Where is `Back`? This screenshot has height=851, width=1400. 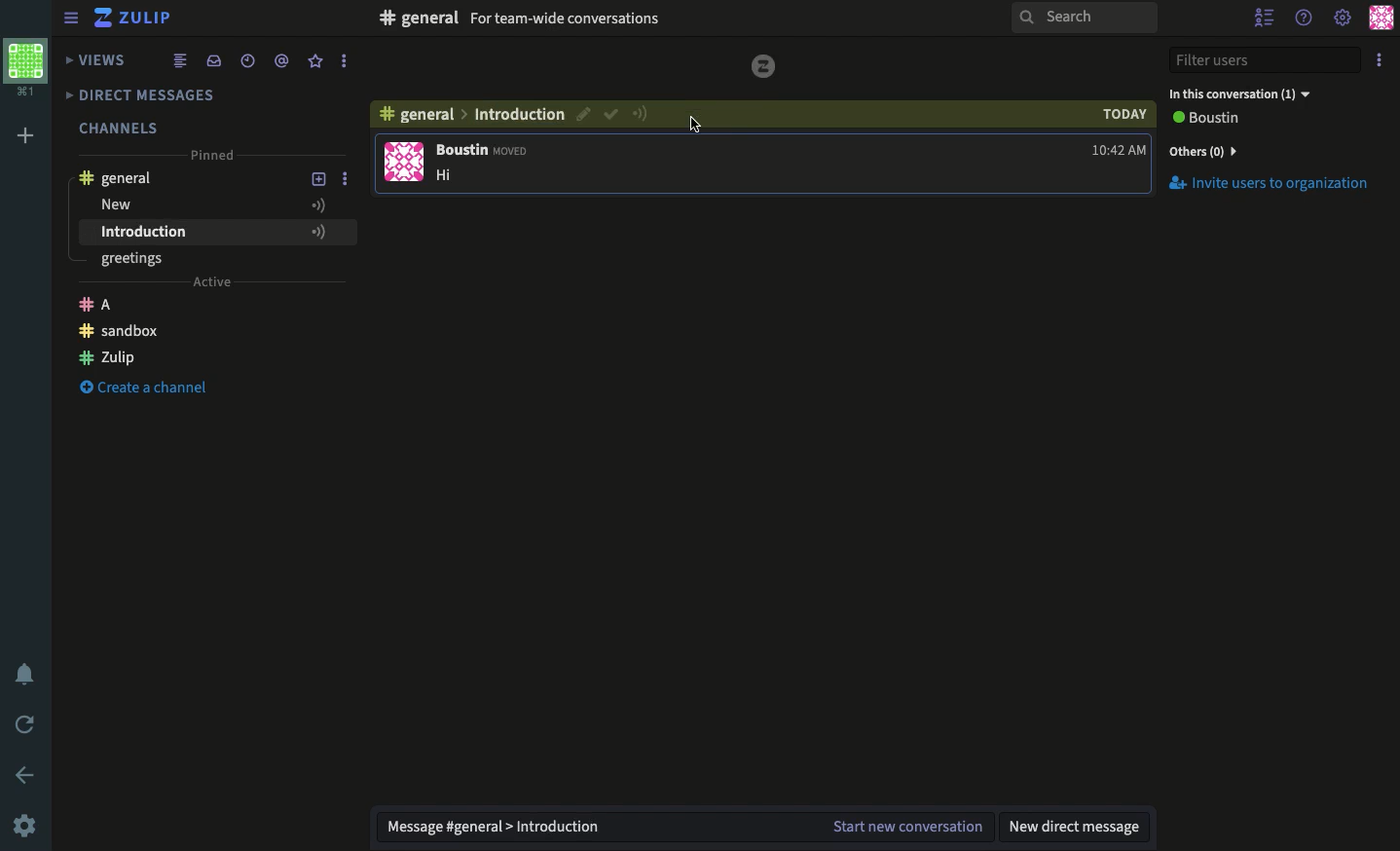 Back is located at coordinates (24, 773).